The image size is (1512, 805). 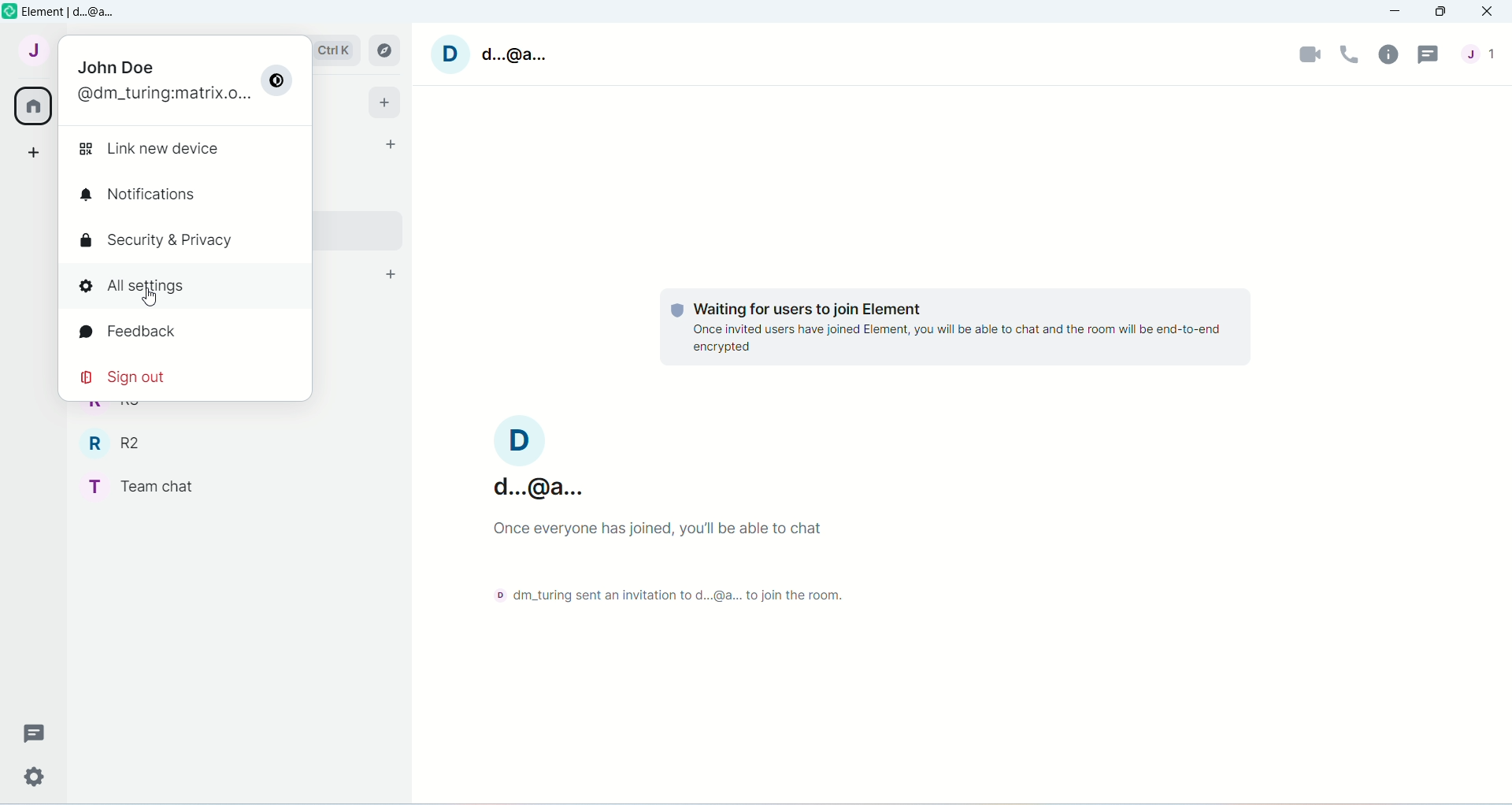 I want to click on cursor movement, so click(x=154, y=299).